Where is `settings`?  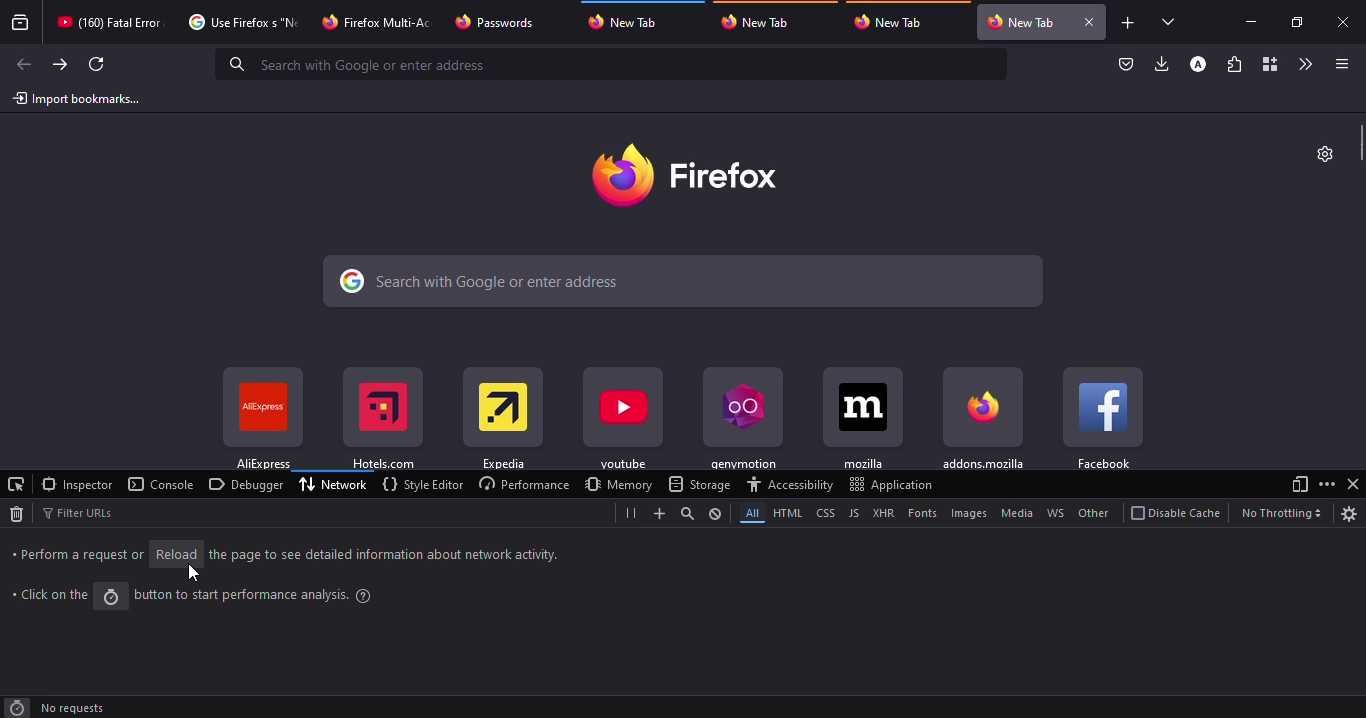 settings is located at coordinates (1350, 514).